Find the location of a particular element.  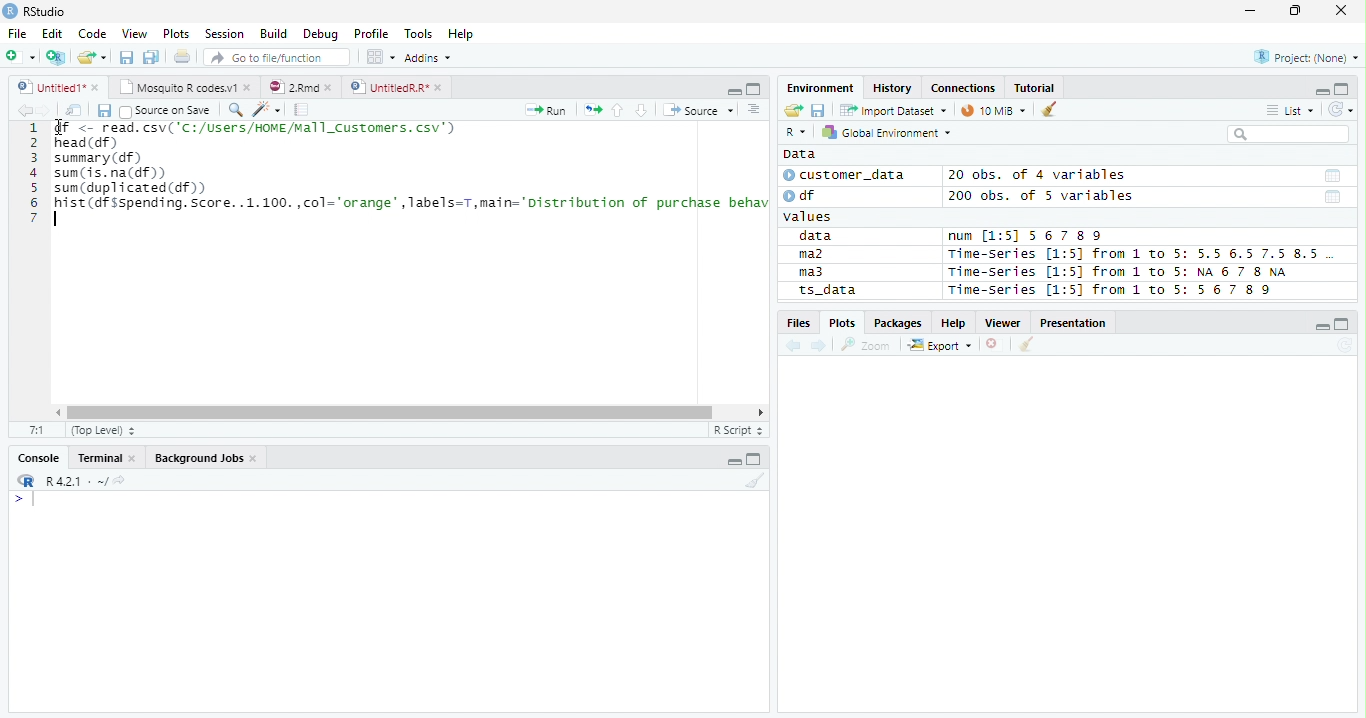

Next is located at coordinates (820, 347).